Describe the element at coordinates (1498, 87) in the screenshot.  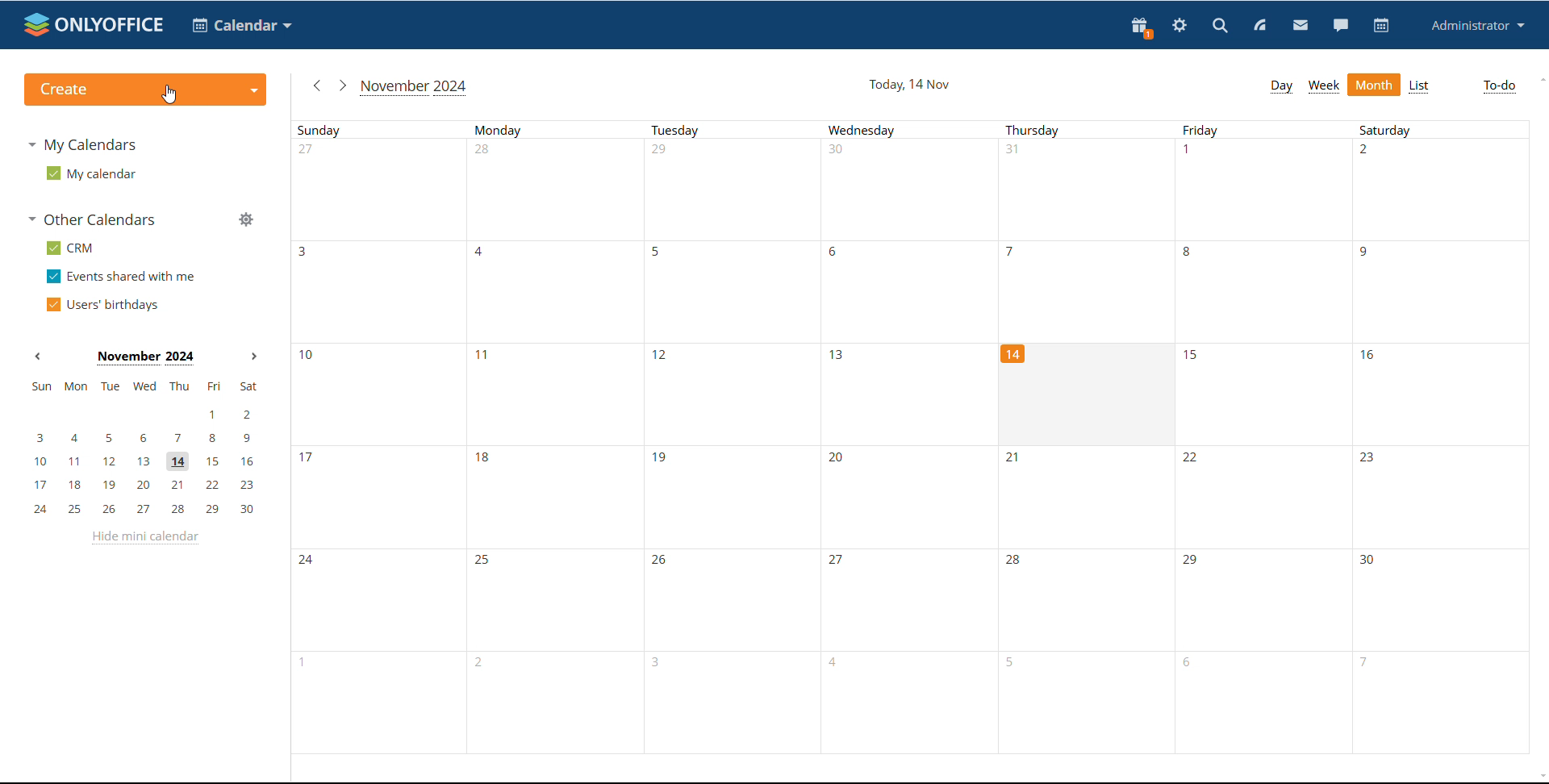
I see `to-do` at that location.